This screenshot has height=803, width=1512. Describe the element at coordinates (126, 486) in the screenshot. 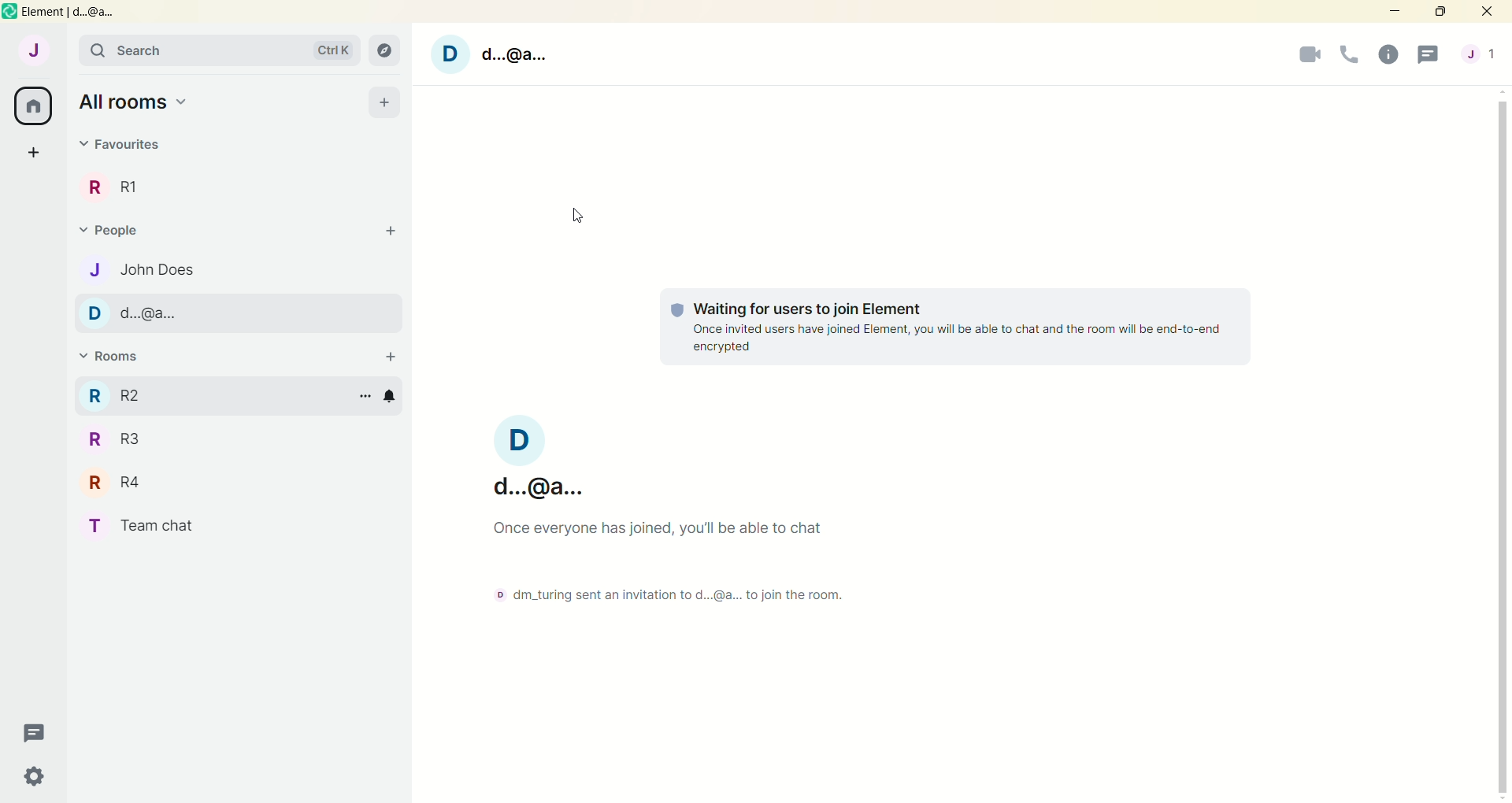

I see `R R4` at that location.